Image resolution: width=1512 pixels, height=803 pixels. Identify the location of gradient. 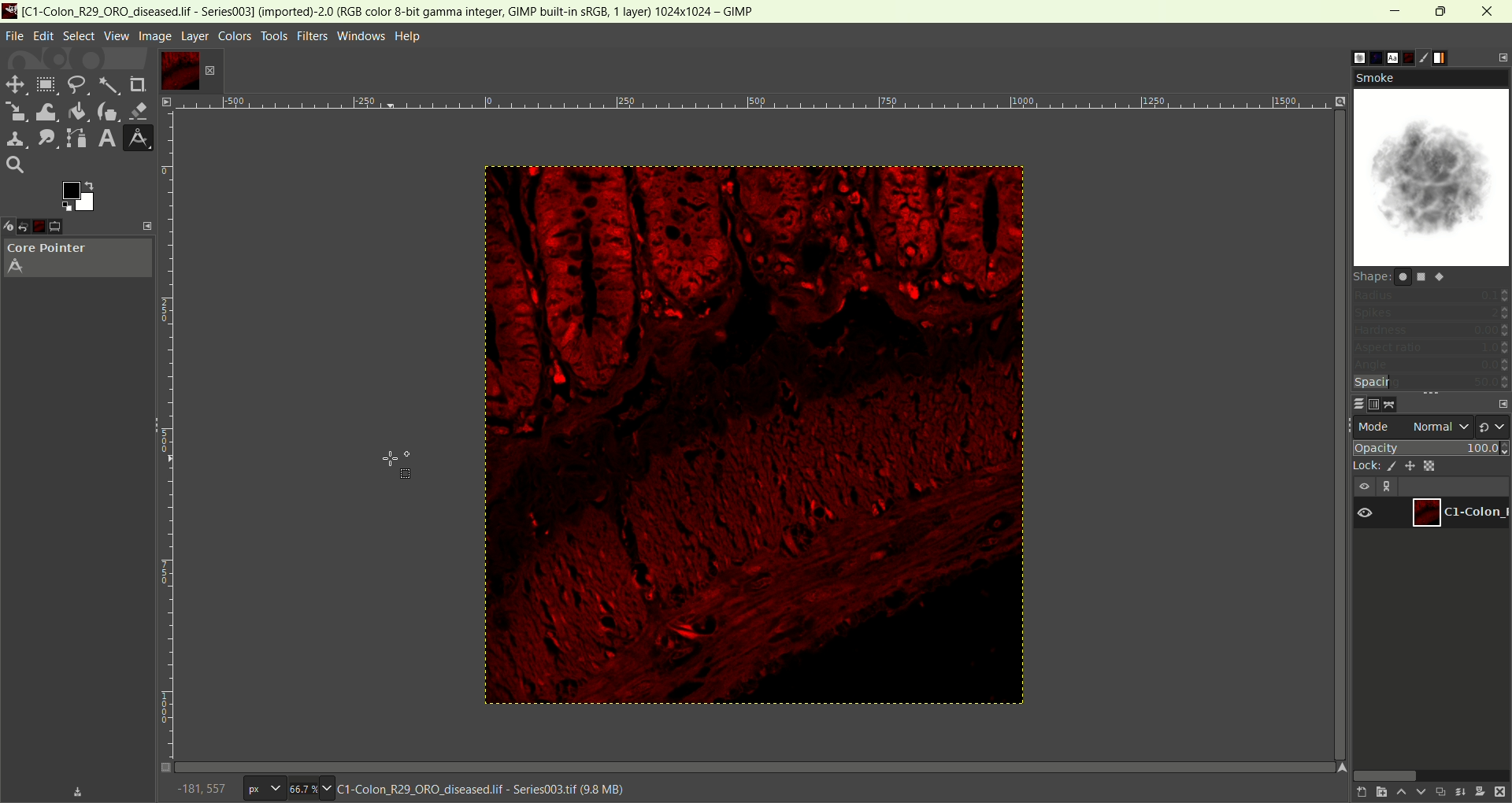
(1451, 57).